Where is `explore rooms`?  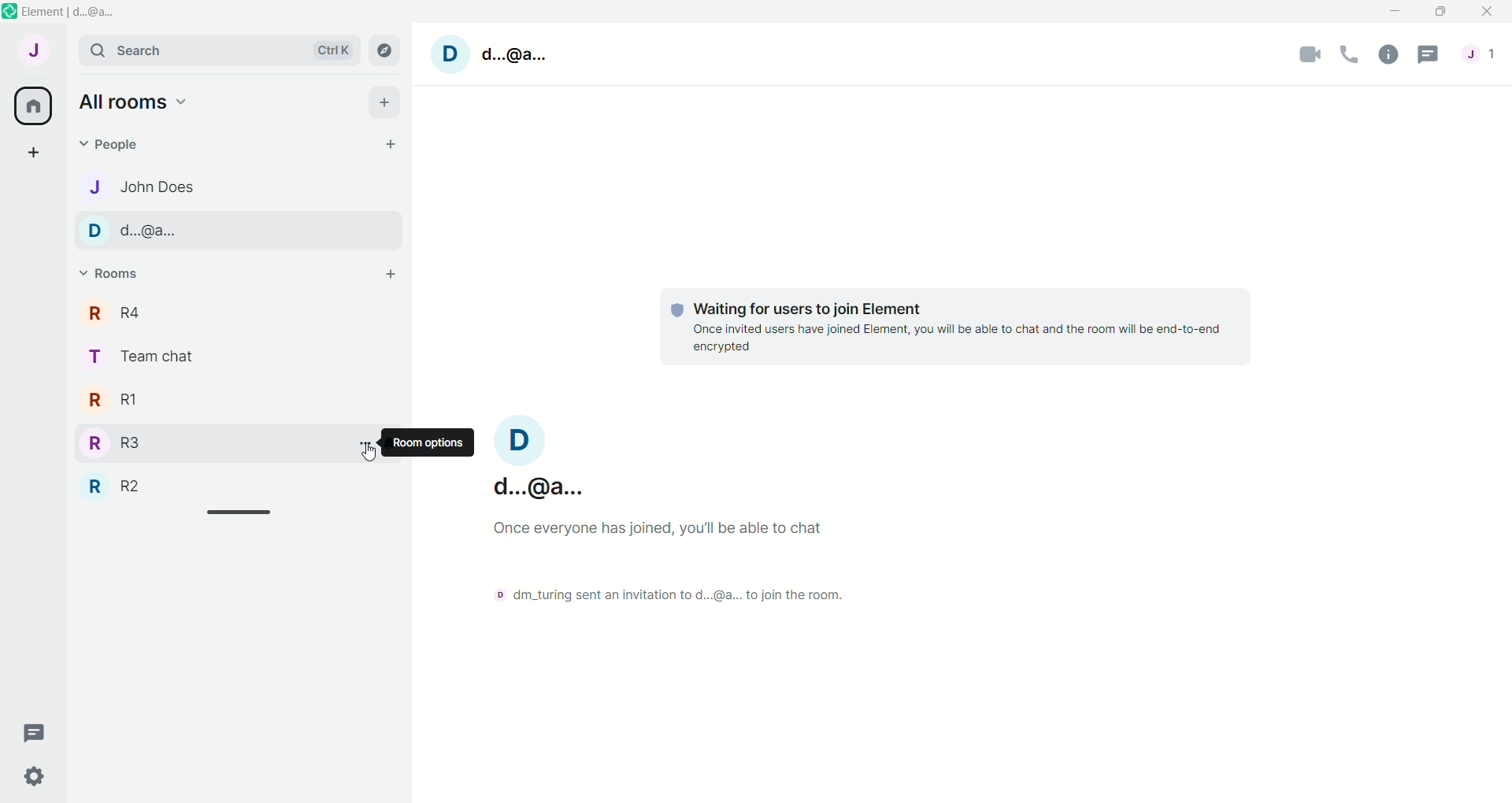 explore rooms is located at coordinates (385, 53).